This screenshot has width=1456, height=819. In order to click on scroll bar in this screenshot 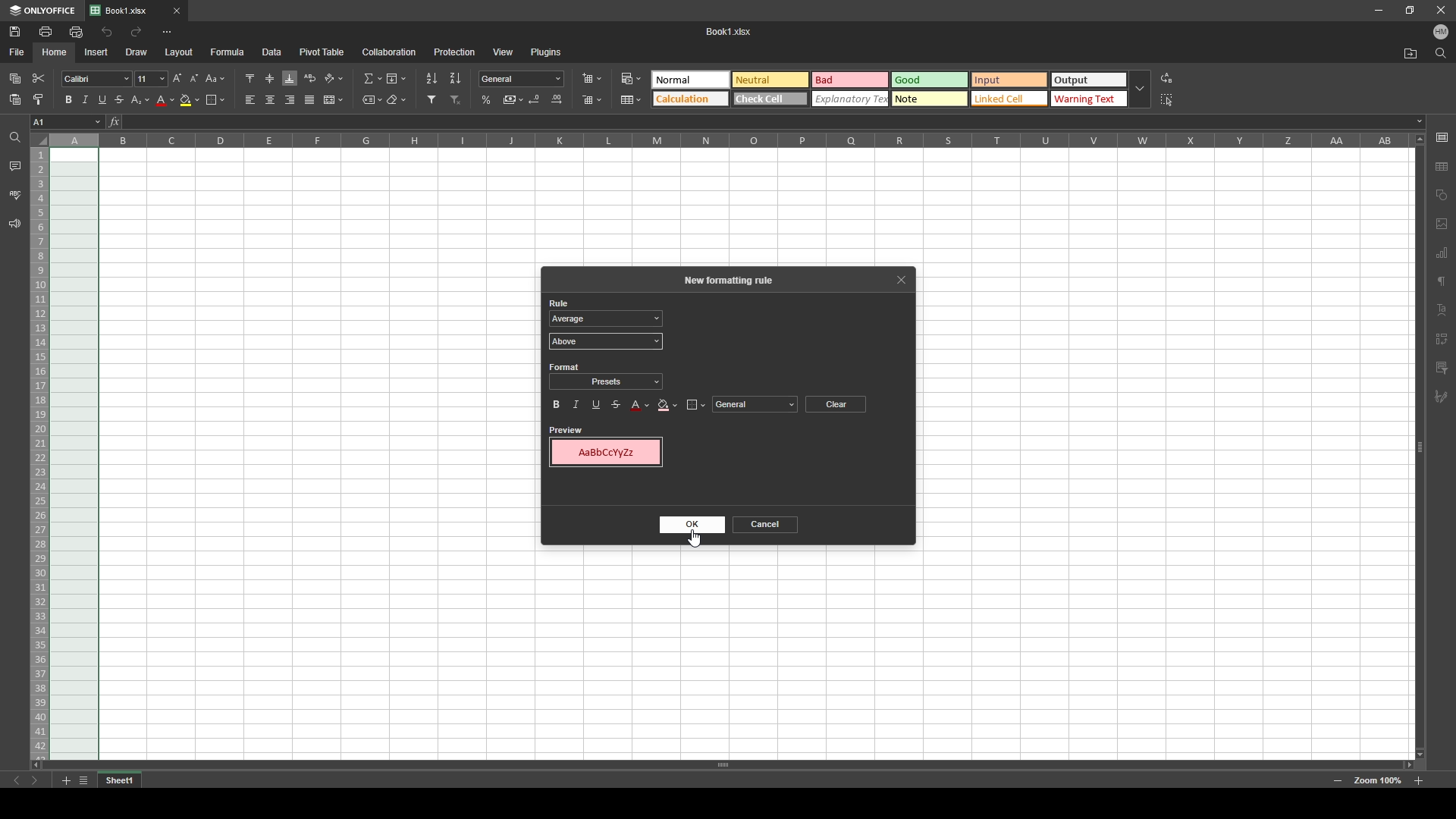, I will do `click(1419, 446)`.